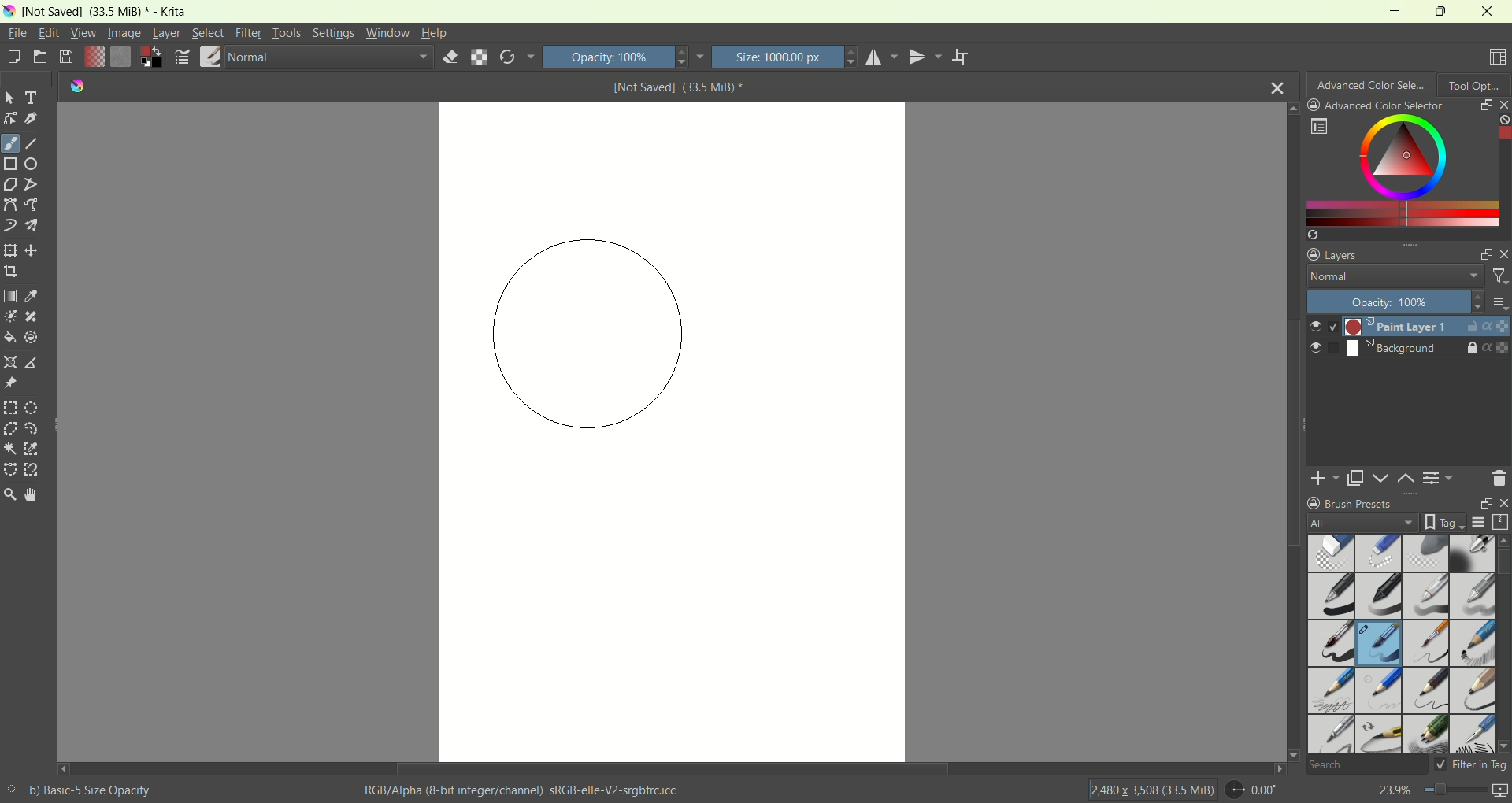 Image resolution: width=1512 pixels, height=803 pixels. I want to click on choose workspace, so click(1499, 57).